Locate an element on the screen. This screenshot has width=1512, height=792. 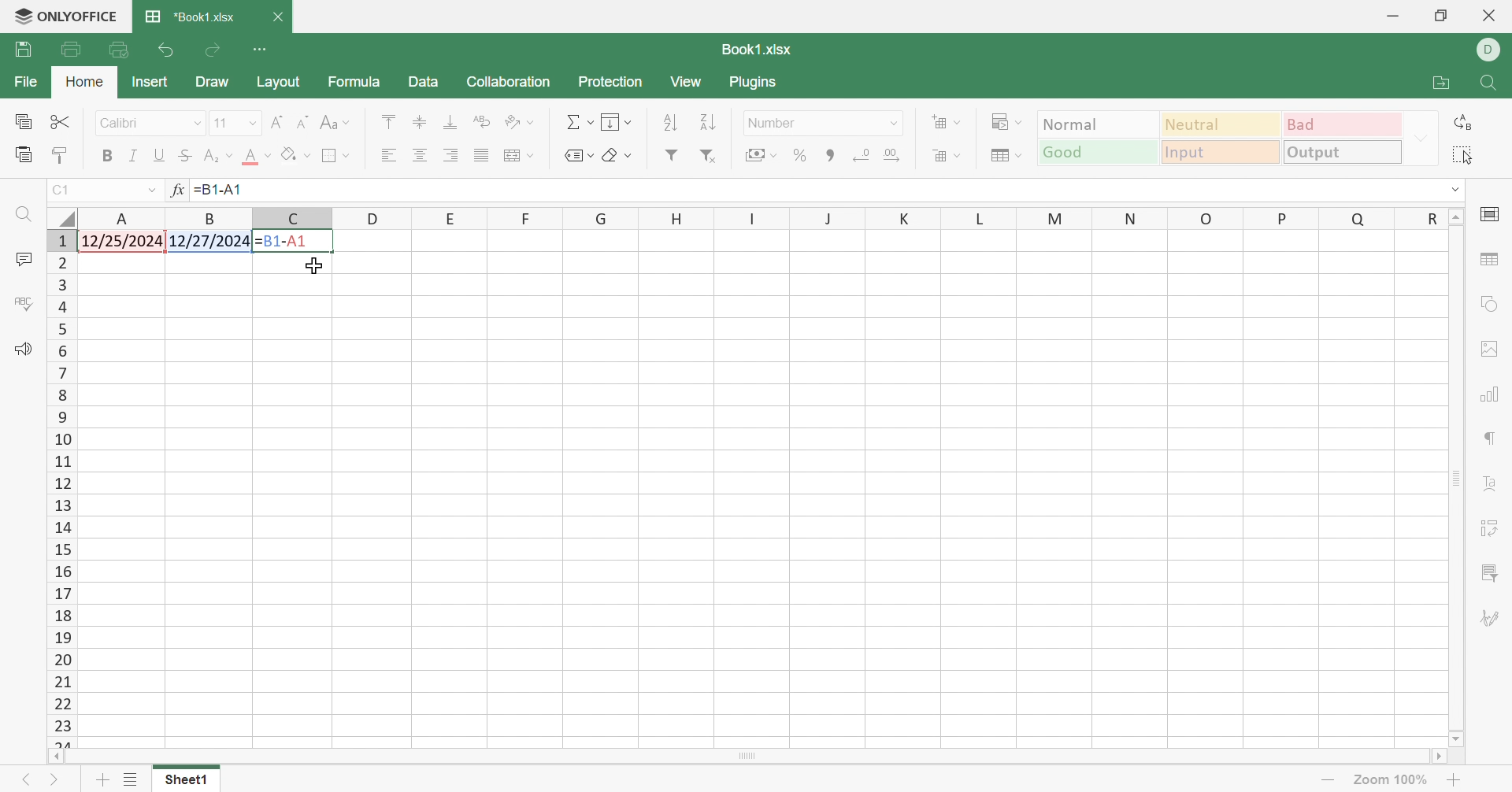
Sheet1 is located at coordinates (181, 781).